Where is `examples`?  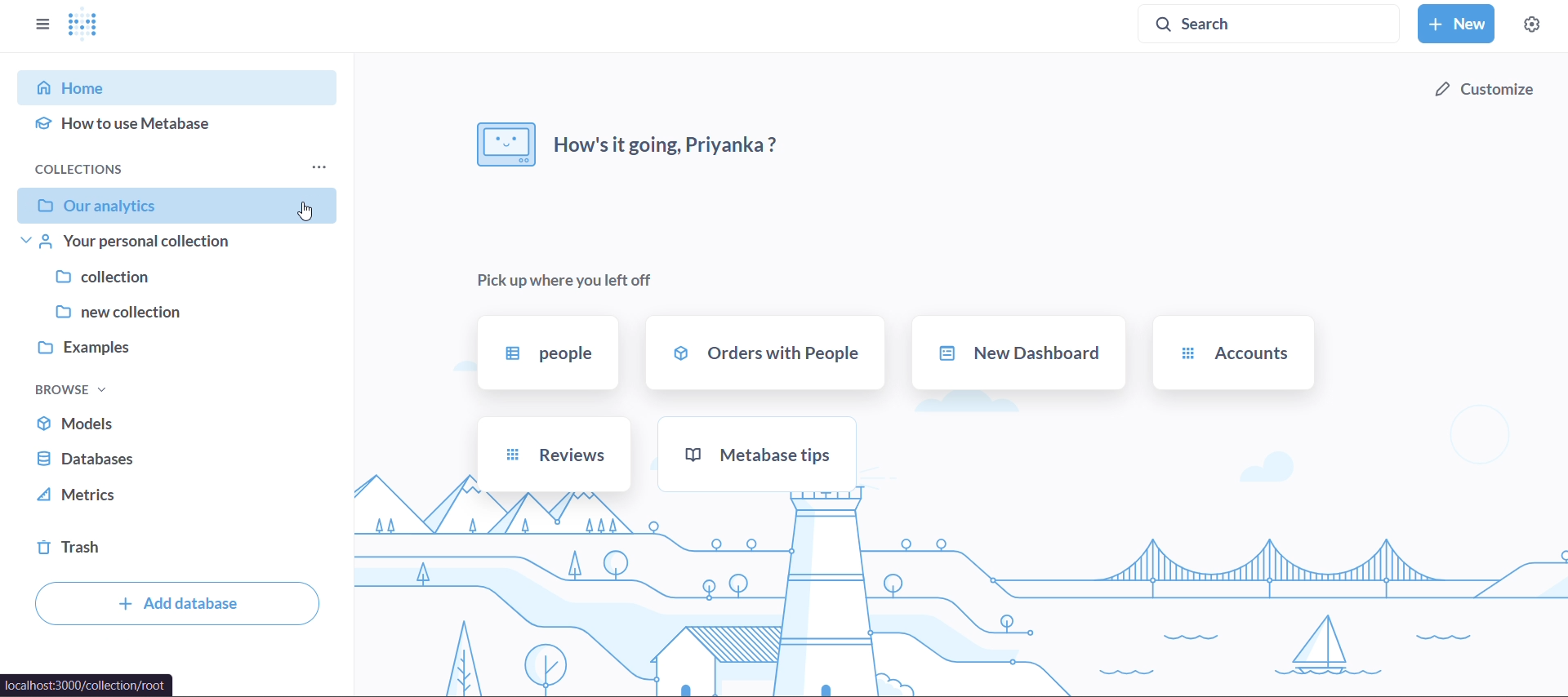
examples is located at coordinates (167, 348).